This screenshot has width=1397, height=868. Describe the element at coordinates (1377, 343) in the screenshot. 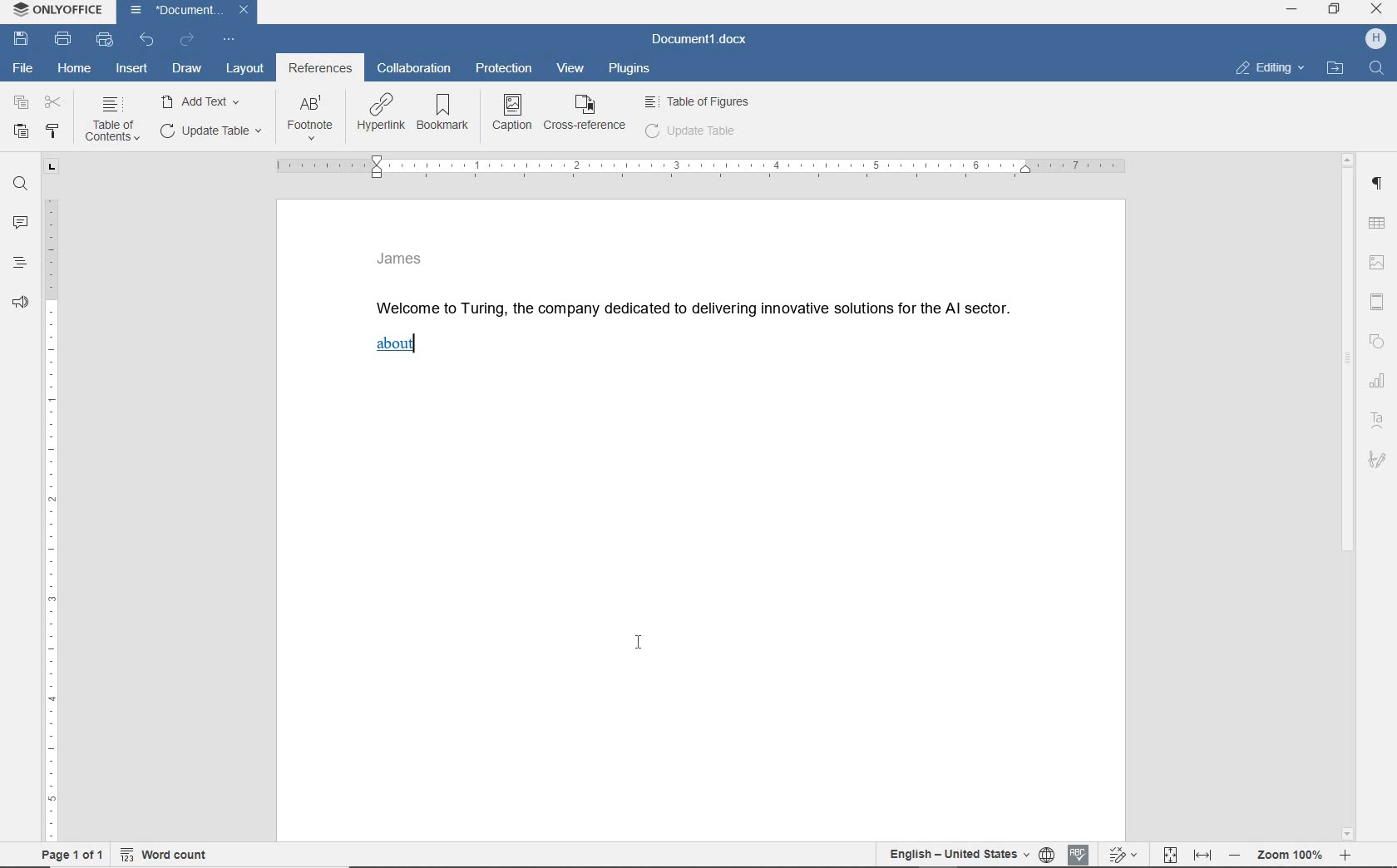

I see `shape` at that location.